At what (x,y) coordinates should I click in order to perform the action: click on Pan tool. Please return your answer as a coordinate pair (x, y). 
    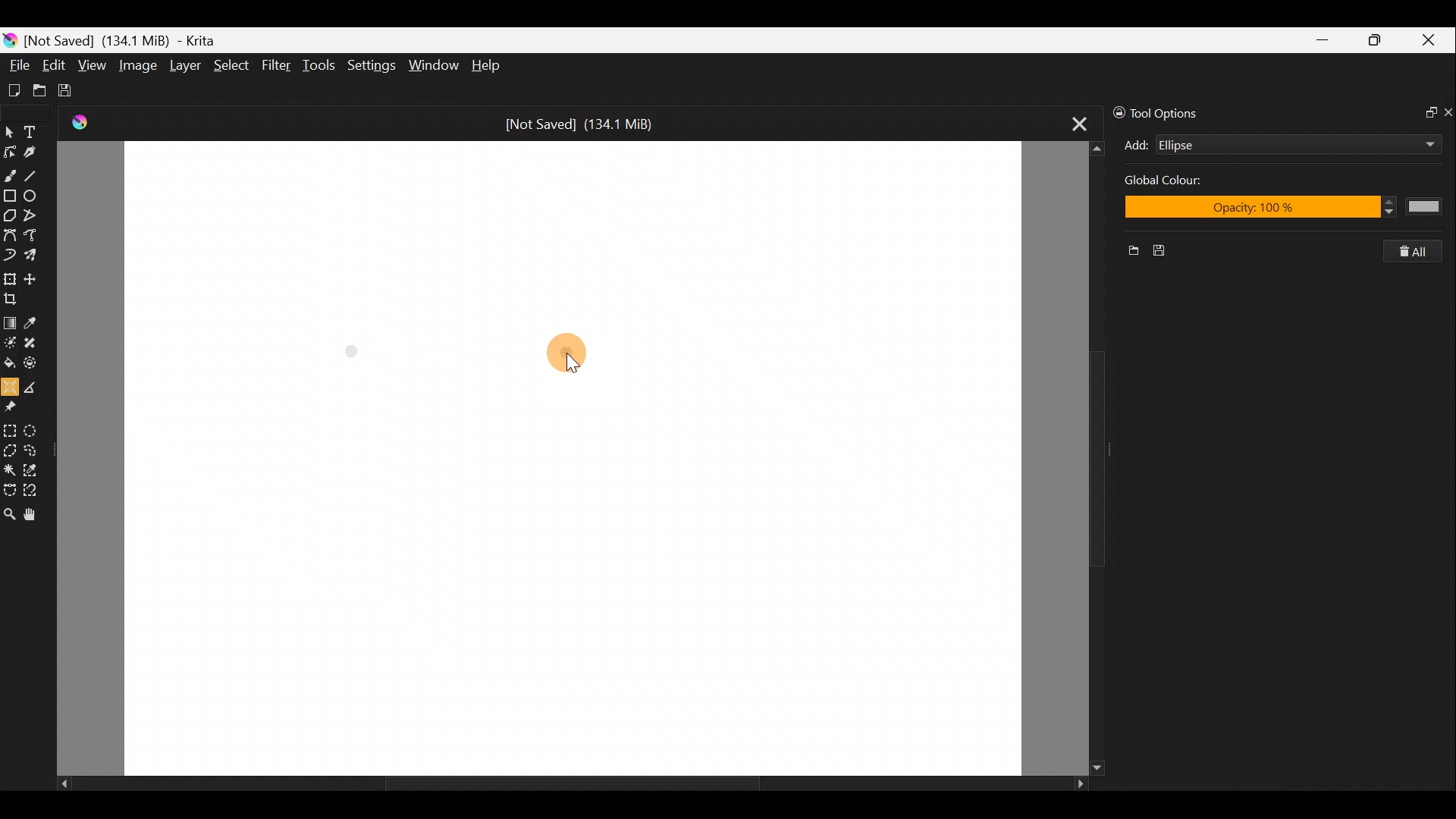
    Looking at the image, I should click on (30, 514).